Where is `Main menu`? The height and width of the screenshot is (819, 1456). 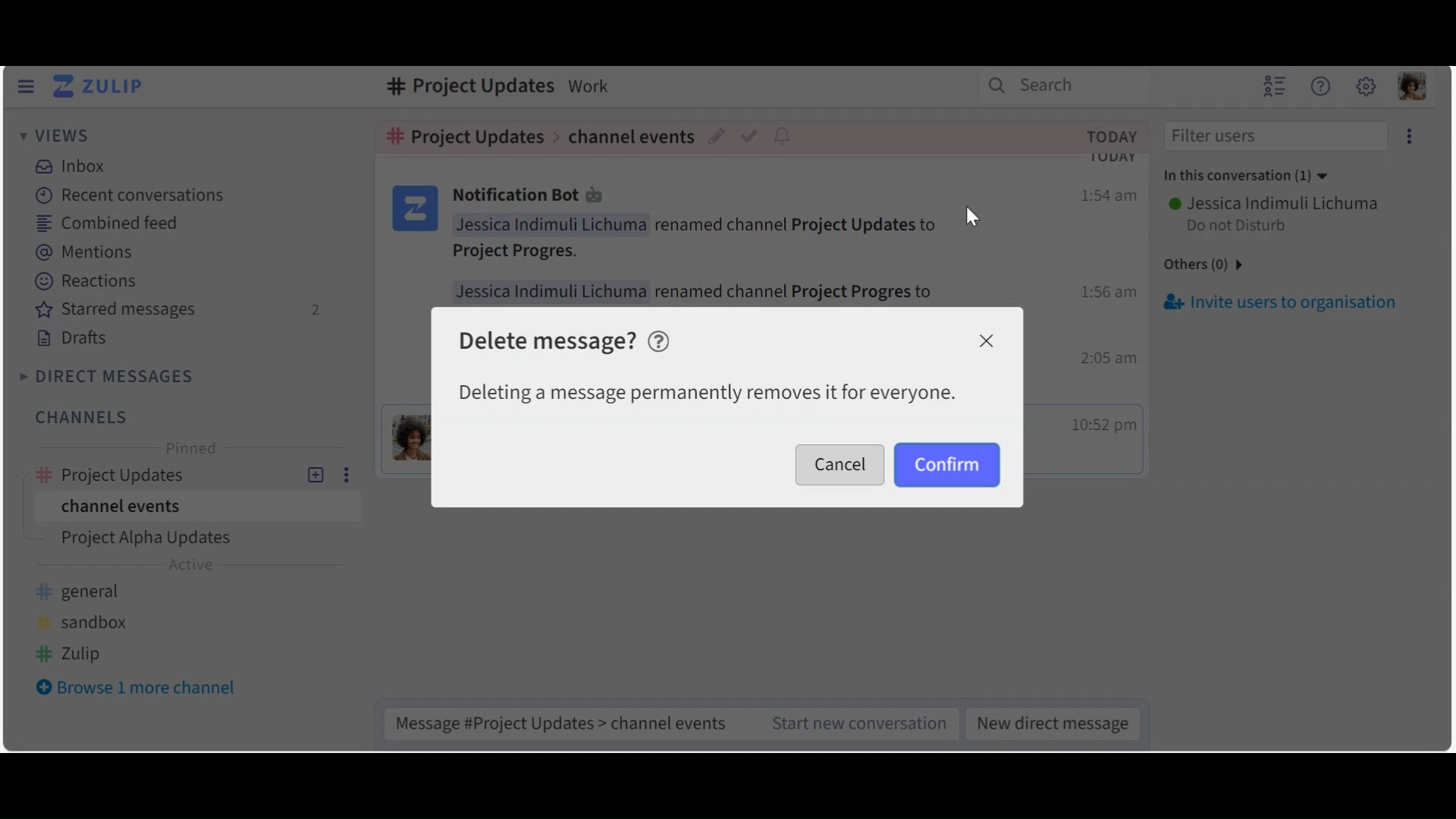 Main menu is located at coordinates (1367, 88).